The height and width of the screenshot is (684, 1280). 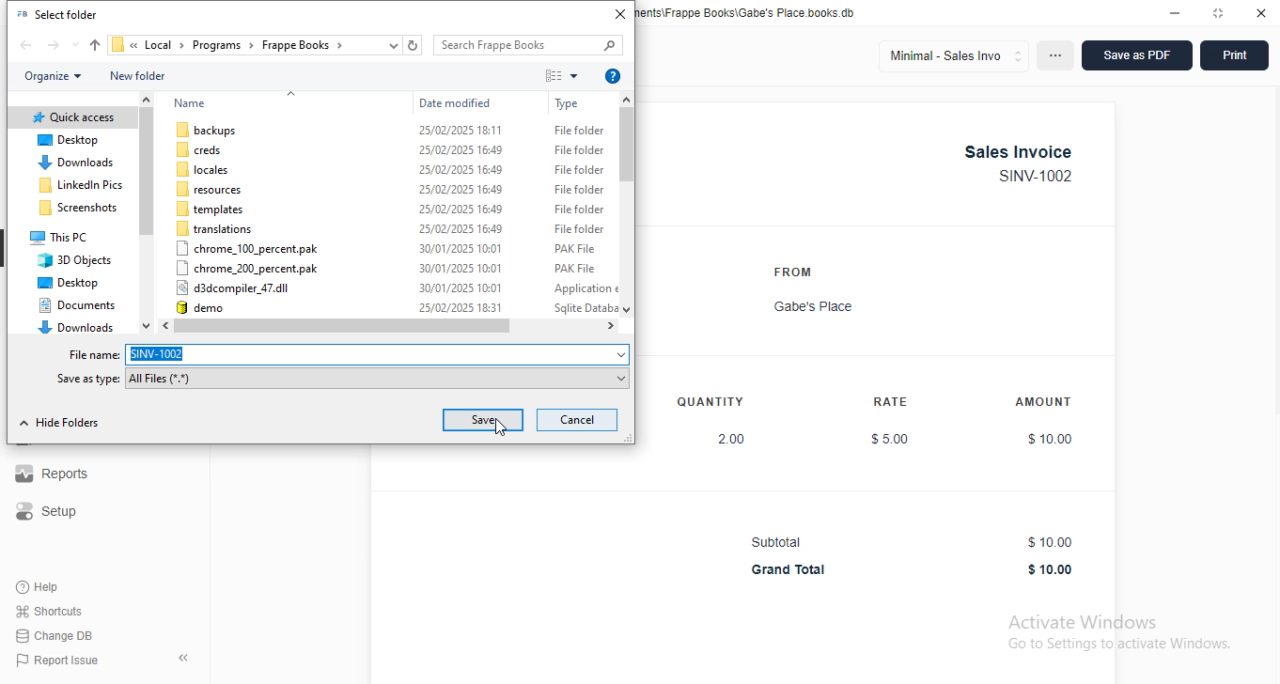 What do you see at coordinates (460, 169) in the screenshot?
I see `25/02/2025 16:49` at bounding box center [460, 169].